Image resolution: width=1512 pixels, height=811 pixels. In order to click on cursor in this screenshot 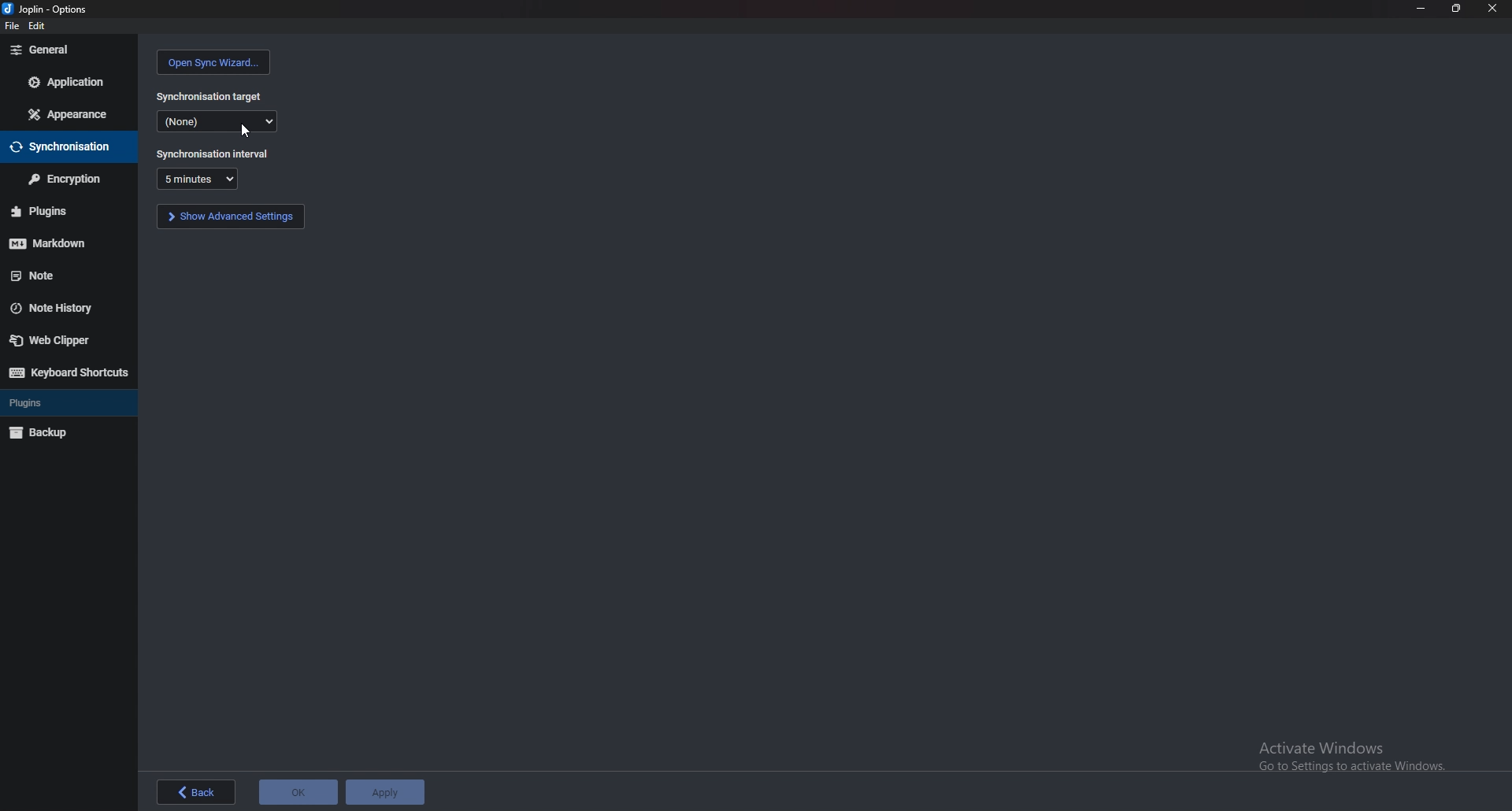, I will do `click(249, 131)`.